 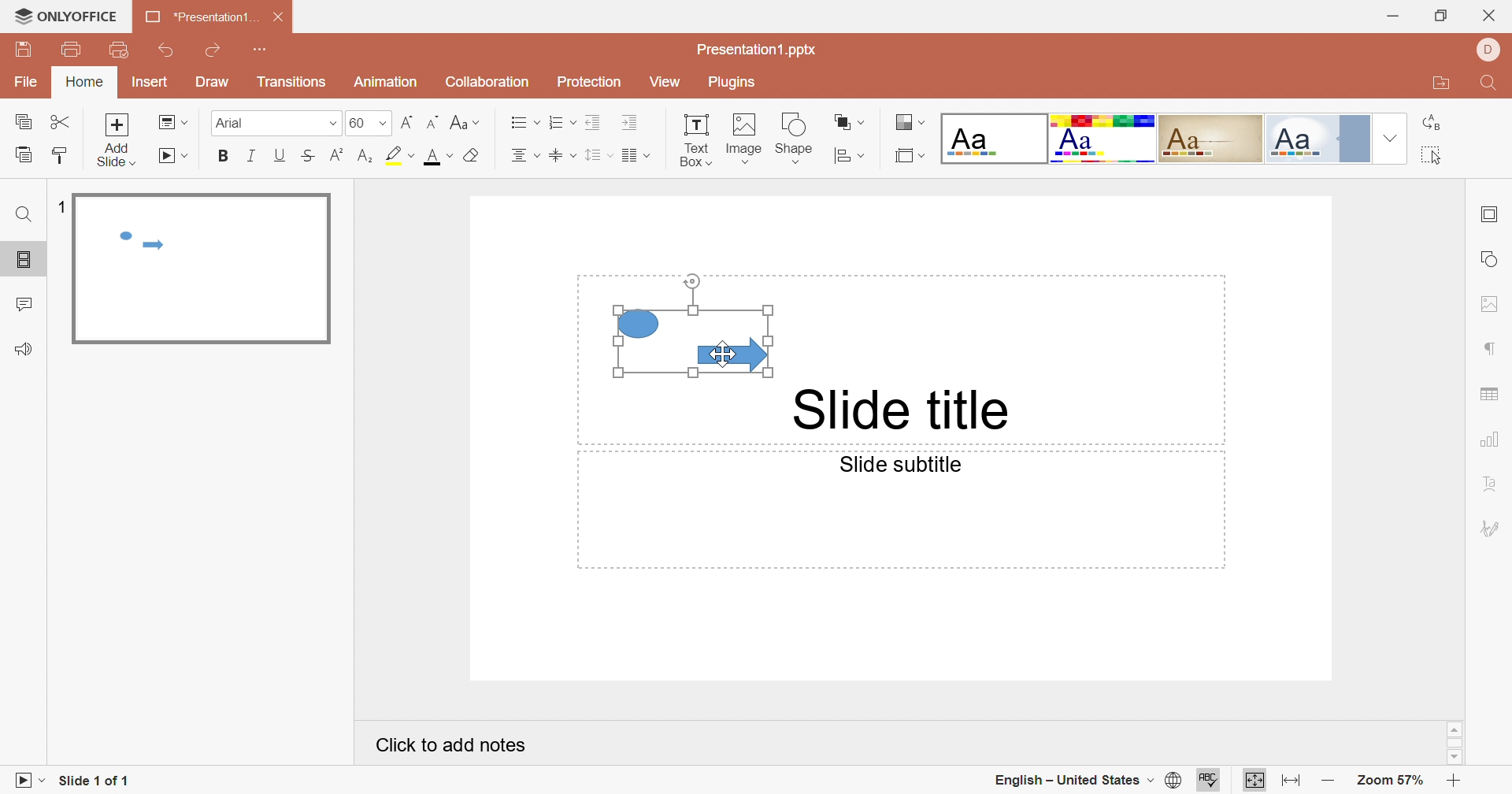 What do you see at coordinates (174, 121) in the screenshot?
I see `Change slide layout` at bounding box center [174, 121].